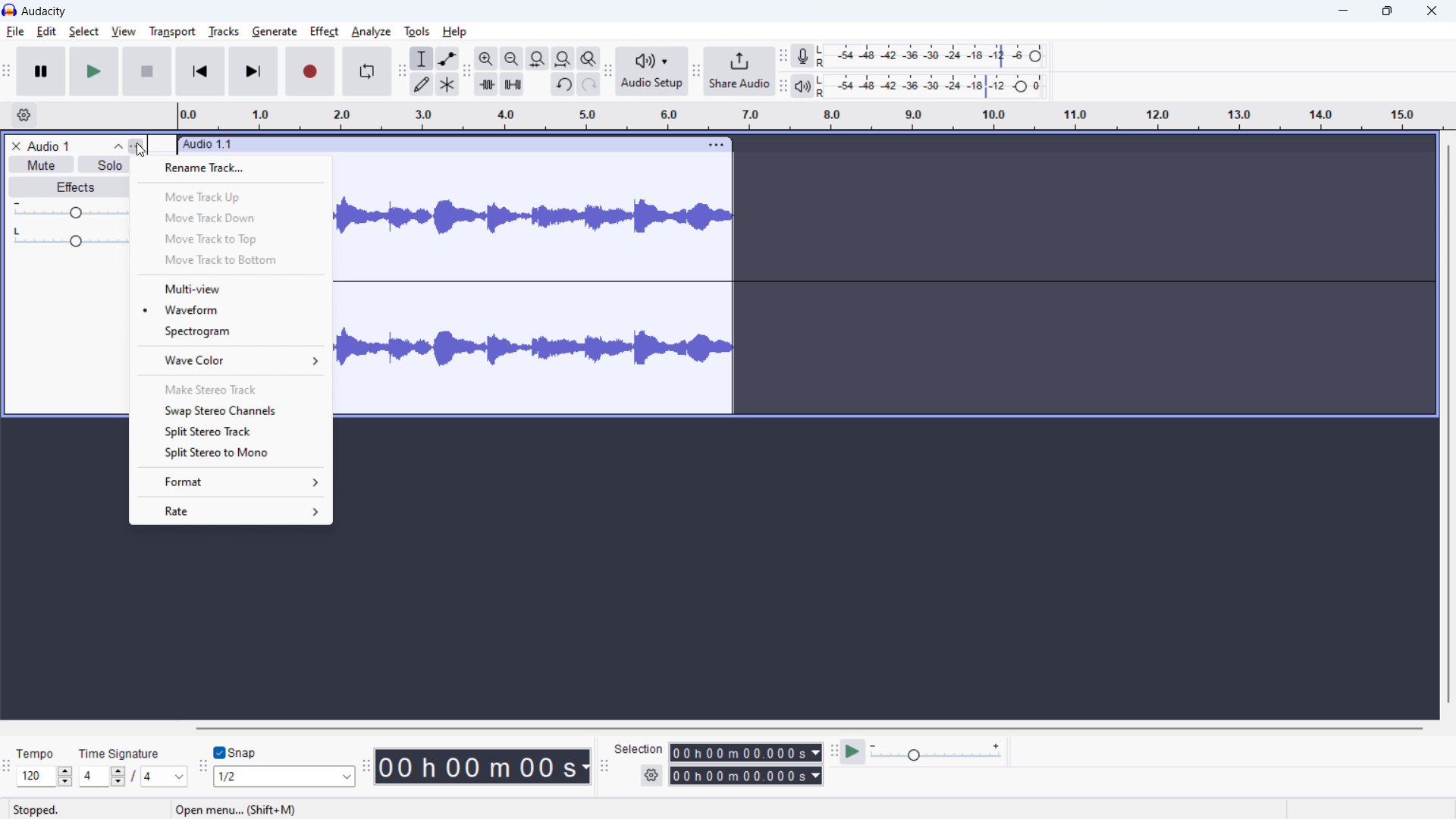  Describe the element at coordinates (417, 32) in the screenshot. I see `tools` at that location.